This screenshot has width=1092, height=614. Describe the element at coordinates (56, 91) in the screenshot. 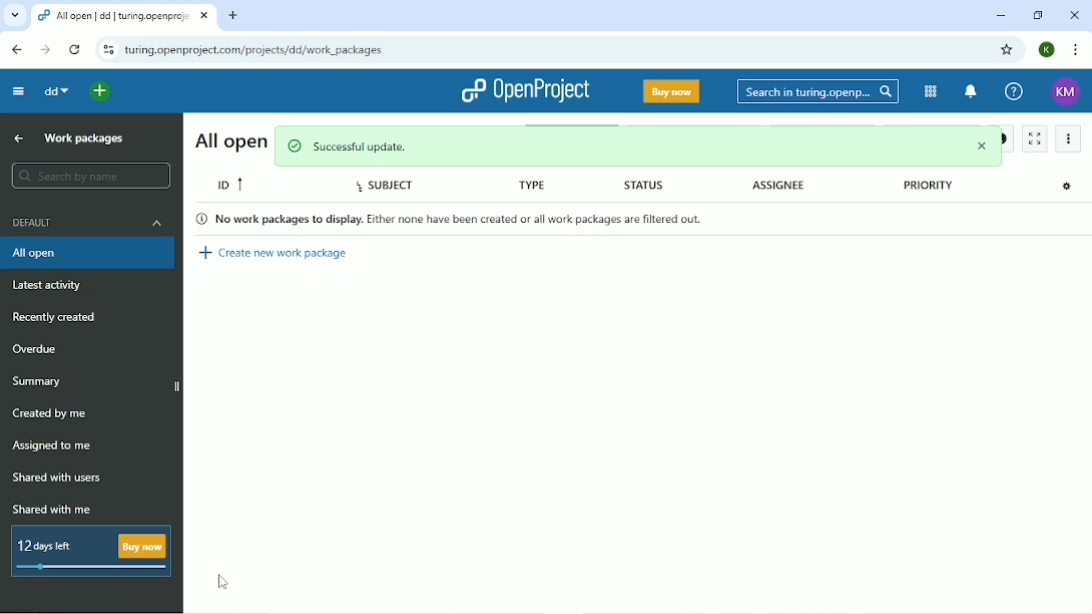

I see `dd` at that location.